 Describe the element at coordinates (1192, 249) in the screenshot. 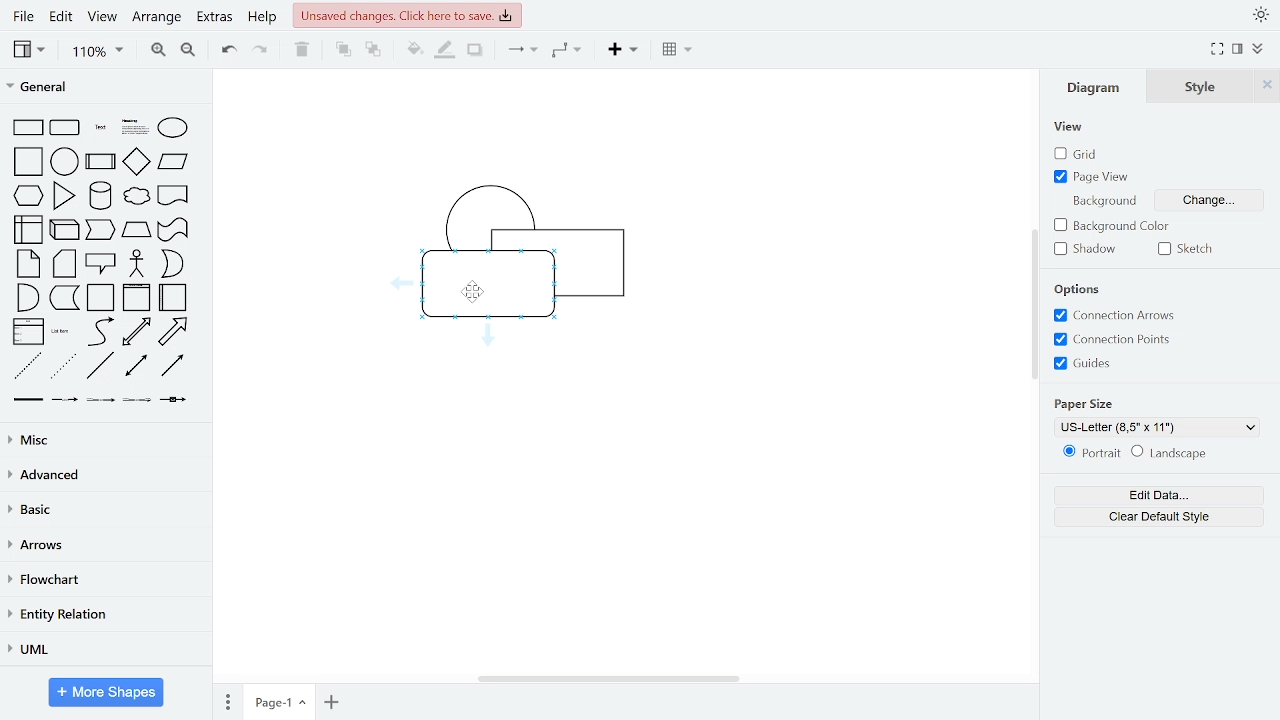

I see `sketch` at that location.